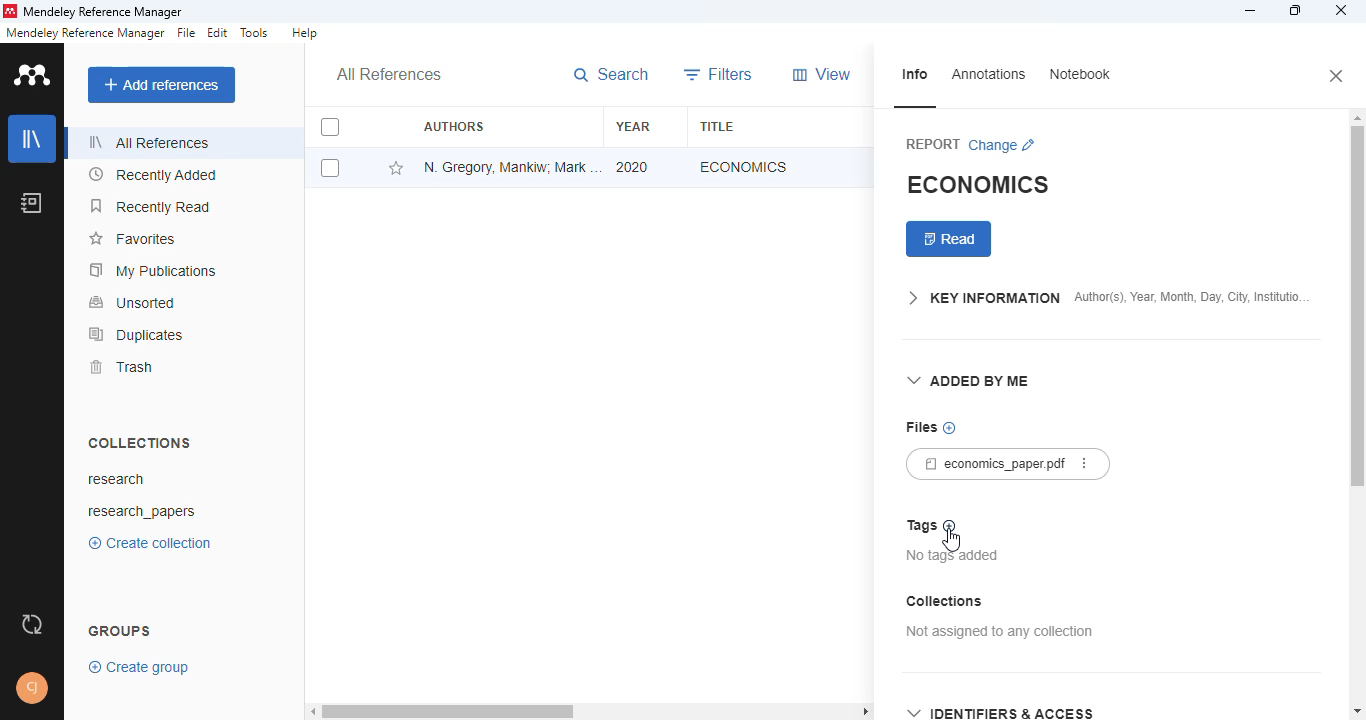 Image resolution: width=1366 pixels, height=720 pixels. Describe the element at coordinates (162, 84) in the screenshot. I see `add references` at that location.